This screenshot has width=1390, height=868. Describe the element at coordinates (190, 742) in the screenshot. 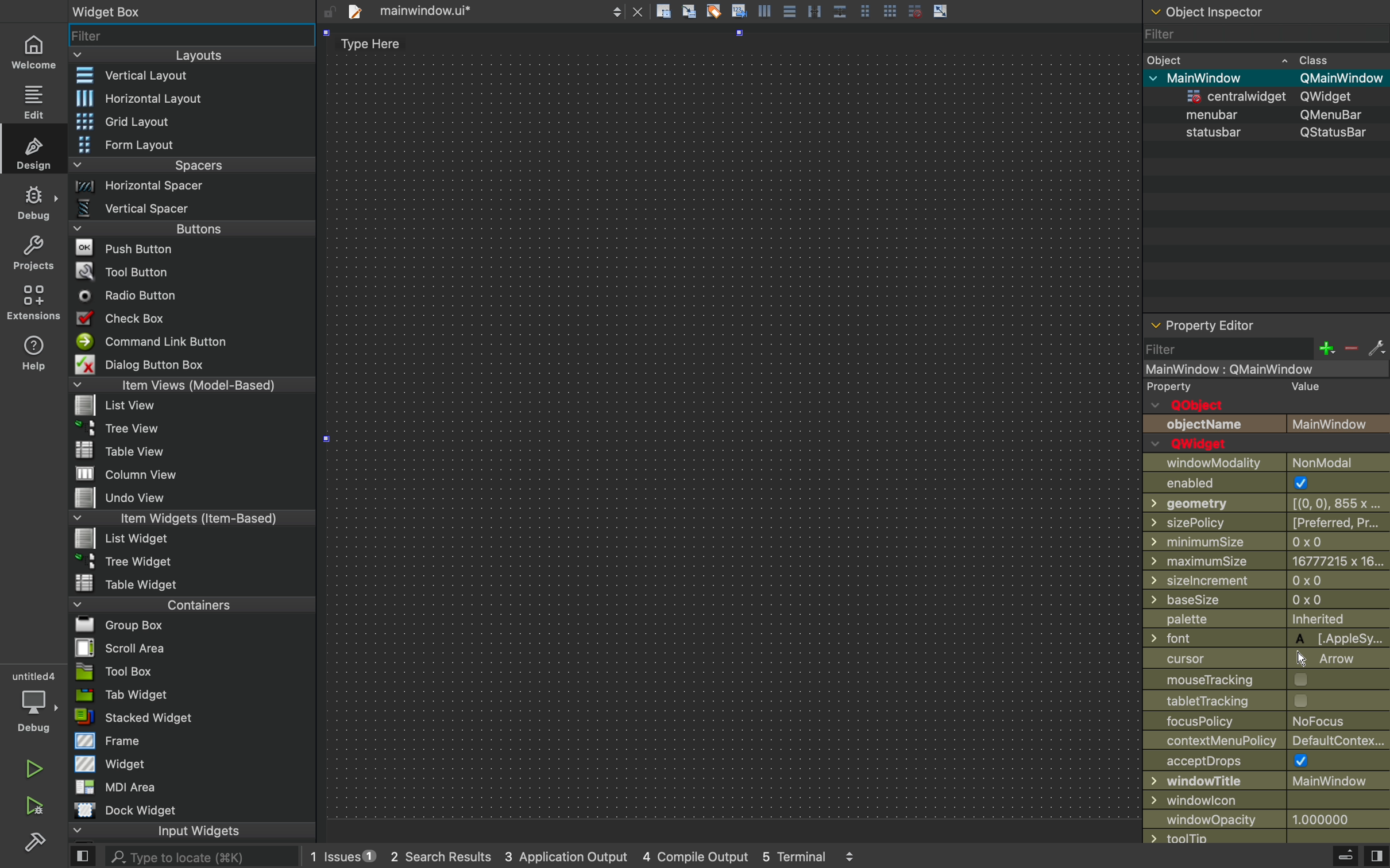

I see `frame` at that location.